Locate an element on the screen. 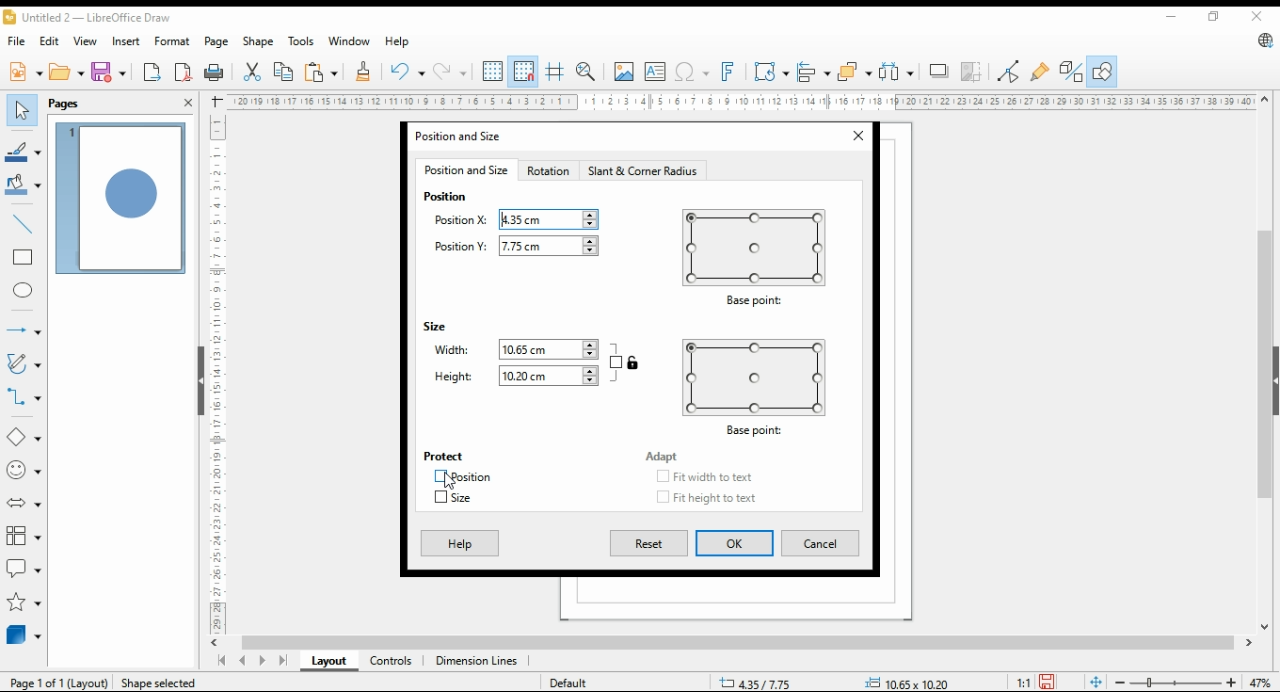 The width and height of the screenshot is (1280, 692). redo is located at coordinates (449, 71).